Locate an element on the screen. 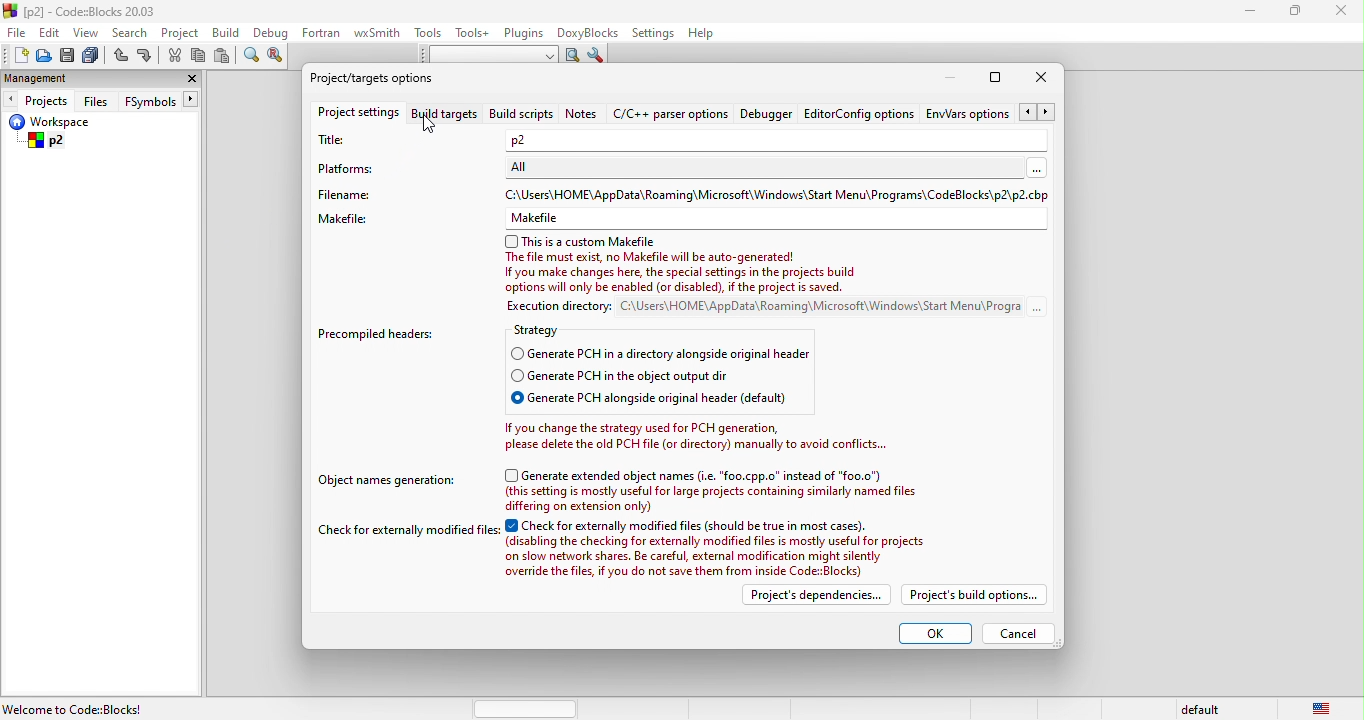 This screenshot has width=1364, height=720. save is located at coordinates (69, 56).